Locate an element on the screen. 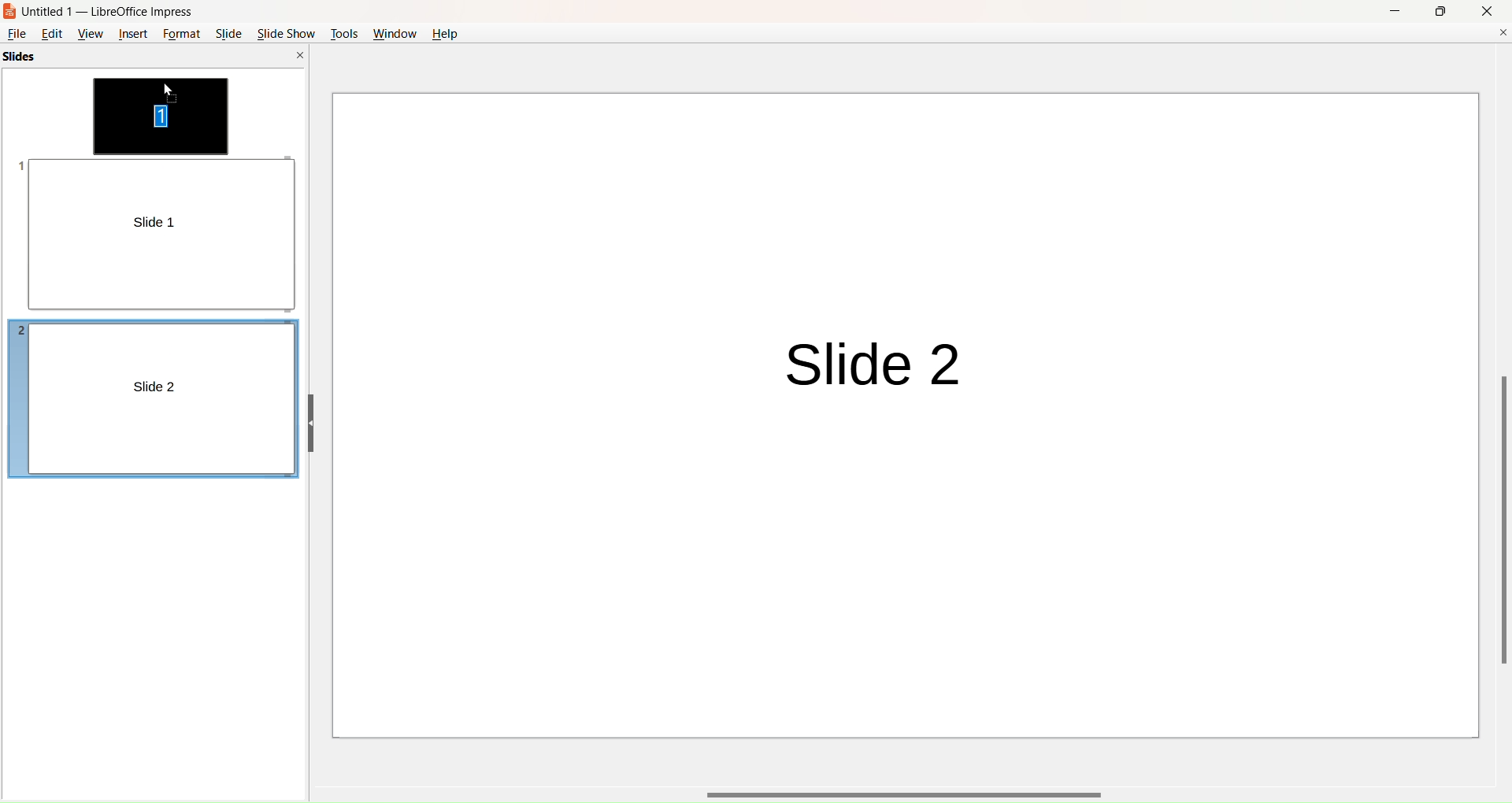  slide movement is located at coordinates (159, 114).